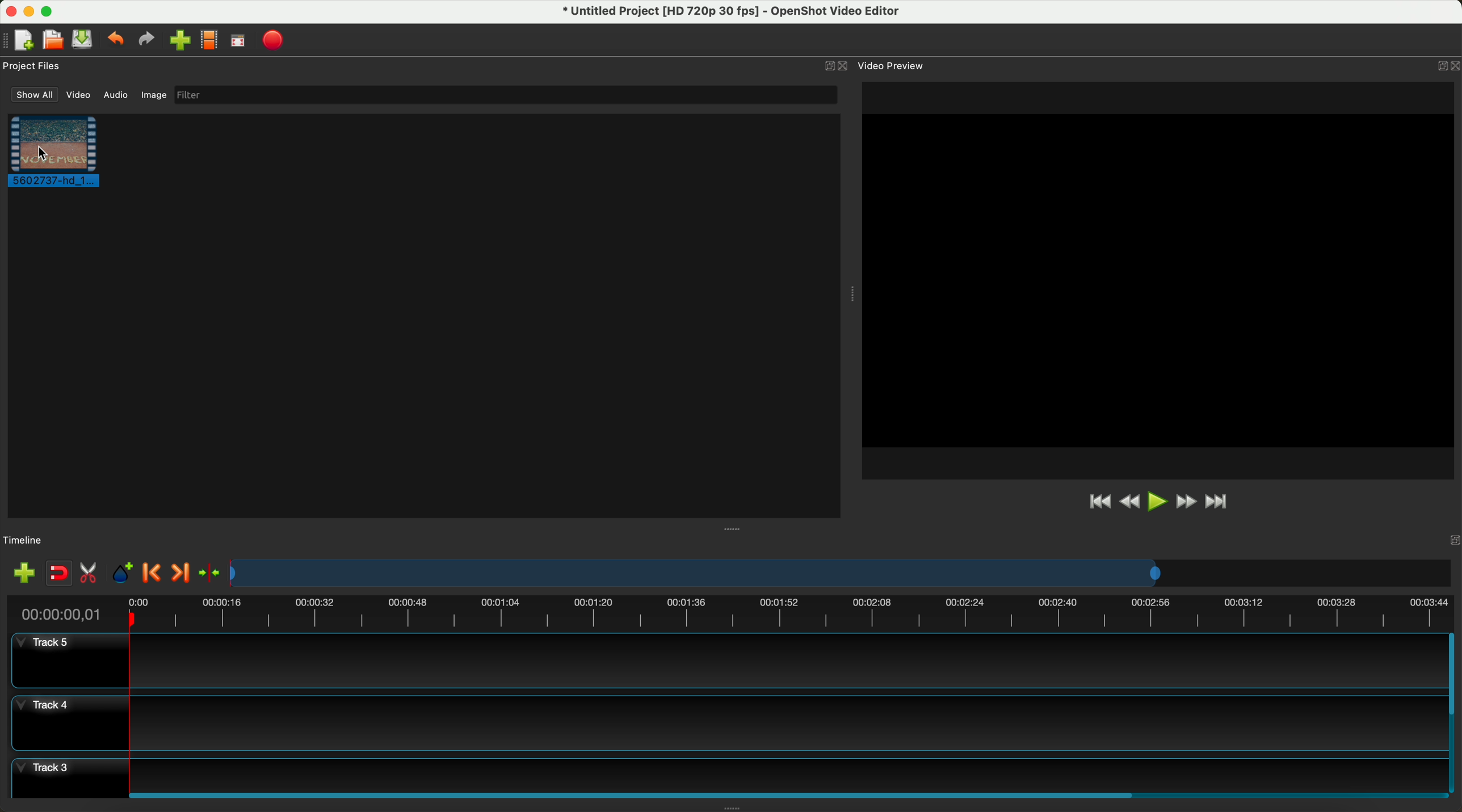  Describe the element at coordinates (116, 95) in the screenshot. I see `audio` at that location.